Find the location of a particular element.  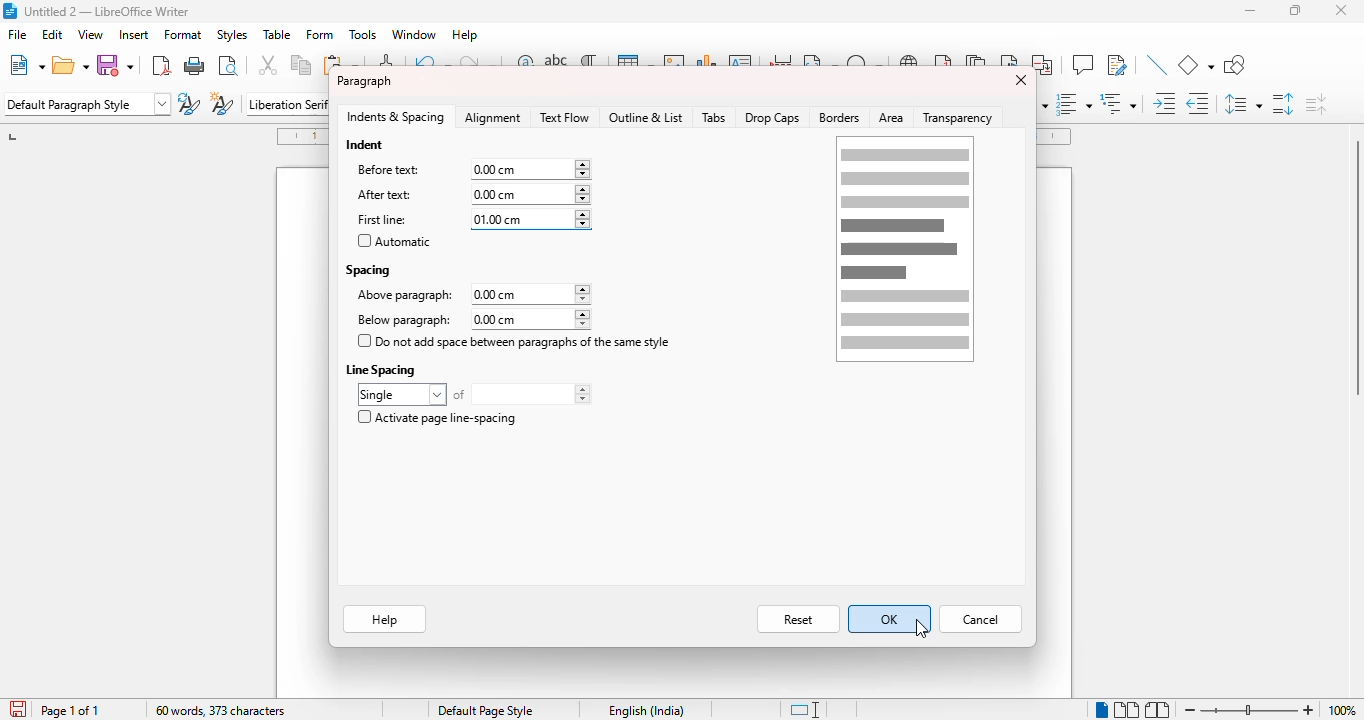

zoom factor is located at coordinates (1342, 710).